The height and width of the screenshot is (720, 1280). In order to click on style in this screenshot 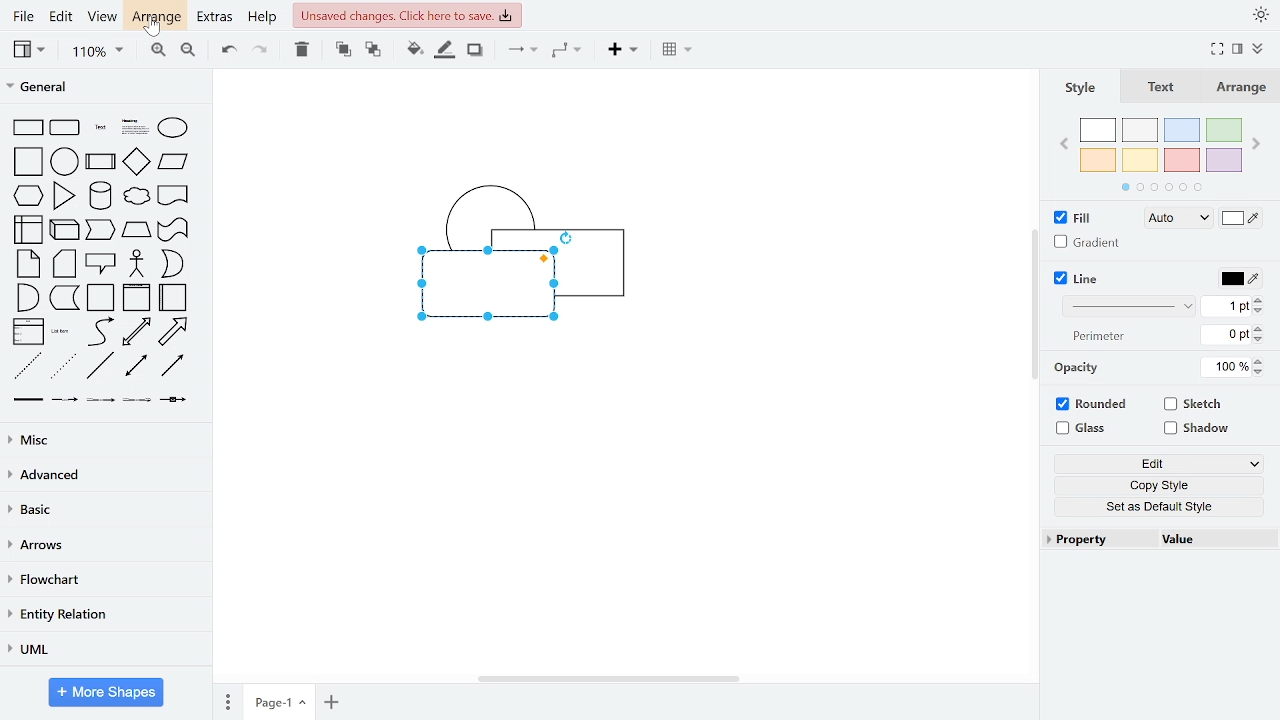, I will do `click(1083, 89)`.